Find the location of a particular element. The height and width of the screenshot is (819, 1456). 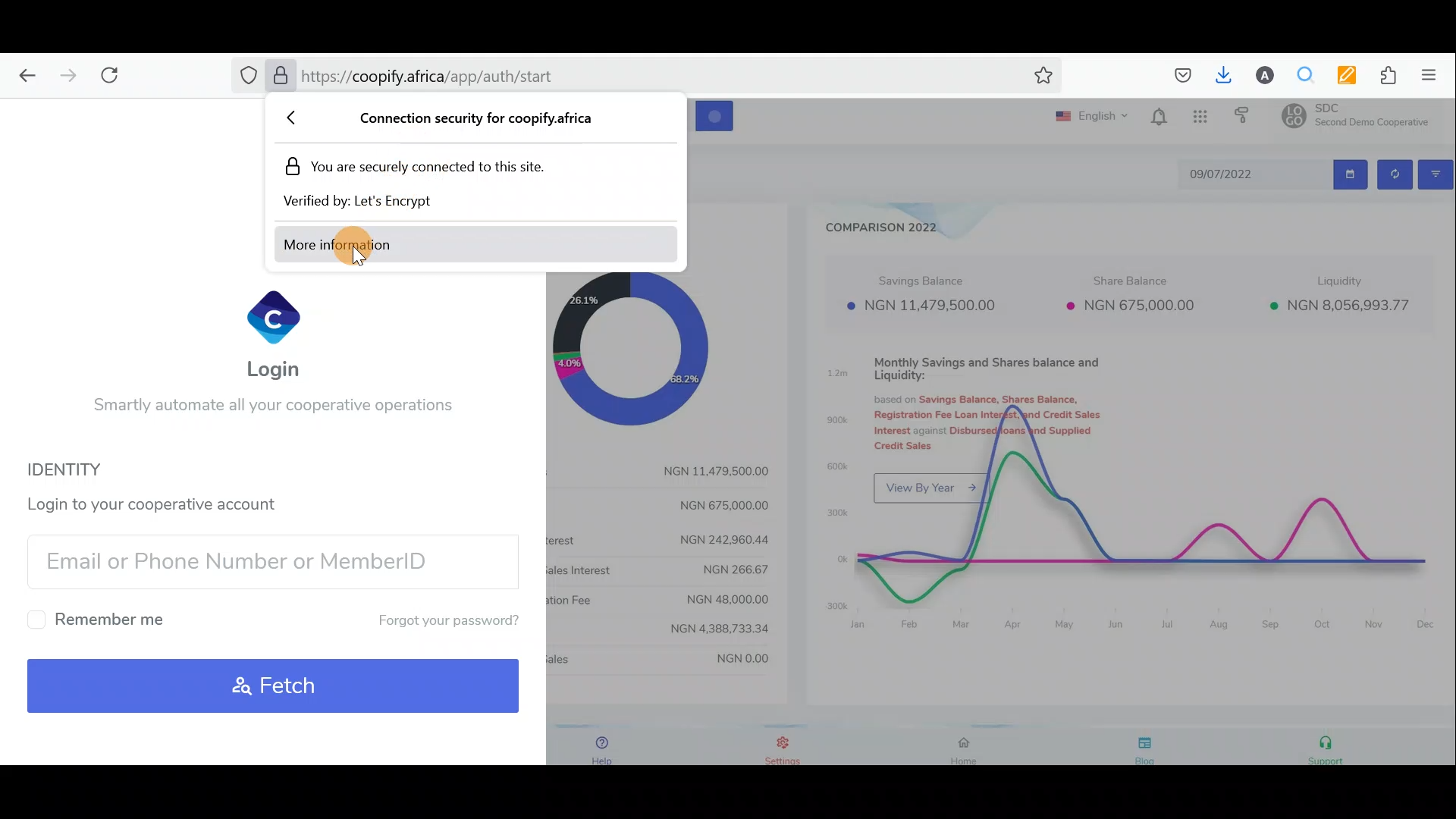

Identity is located at coordinates (86, 469).